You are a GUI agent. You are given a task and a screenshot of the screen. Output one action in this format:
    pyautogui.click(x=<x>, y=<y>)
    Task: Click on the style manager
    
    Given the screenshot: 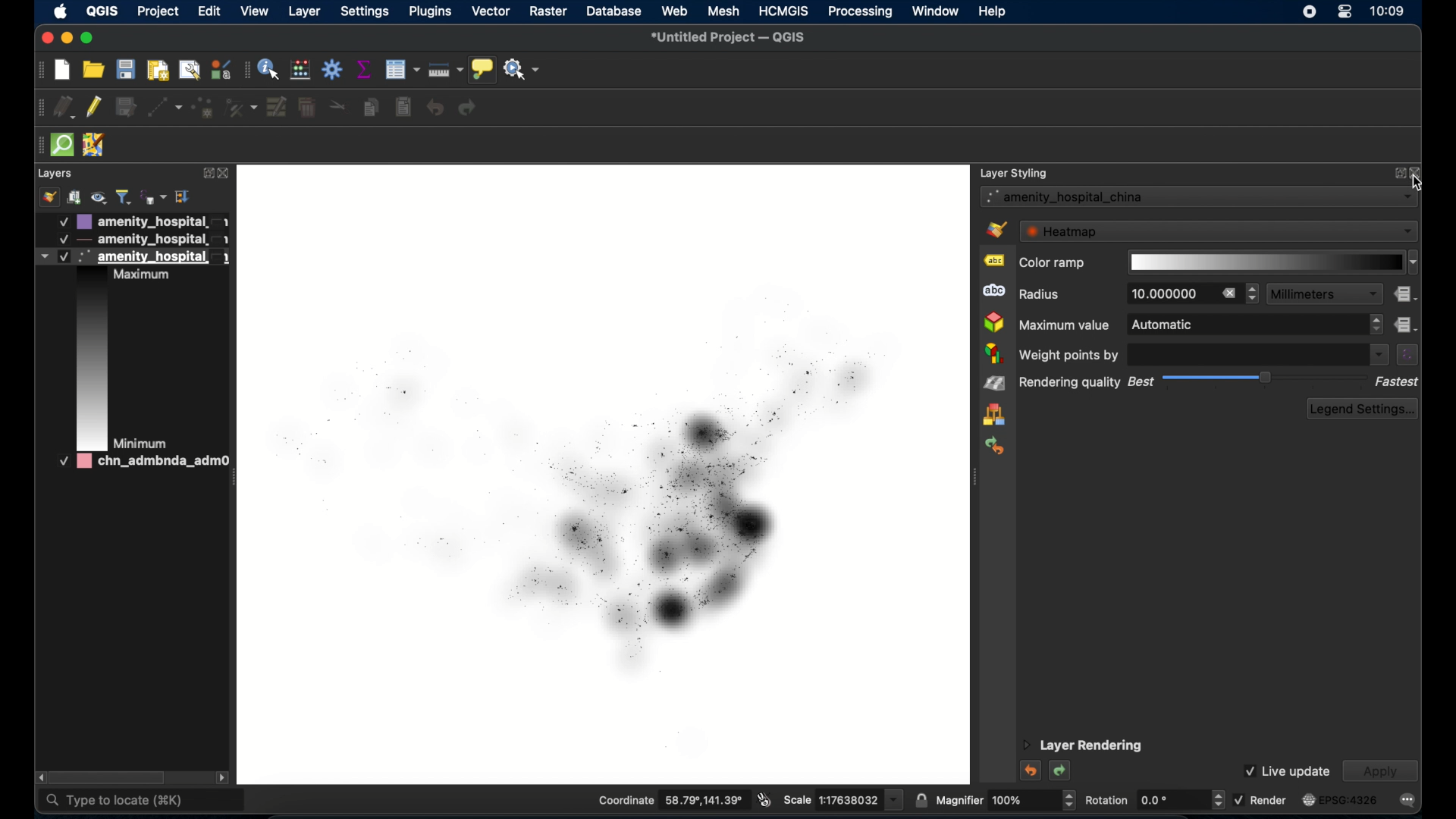 What is the action you would take?
    pyautogui.click(x=993, y=415)
    